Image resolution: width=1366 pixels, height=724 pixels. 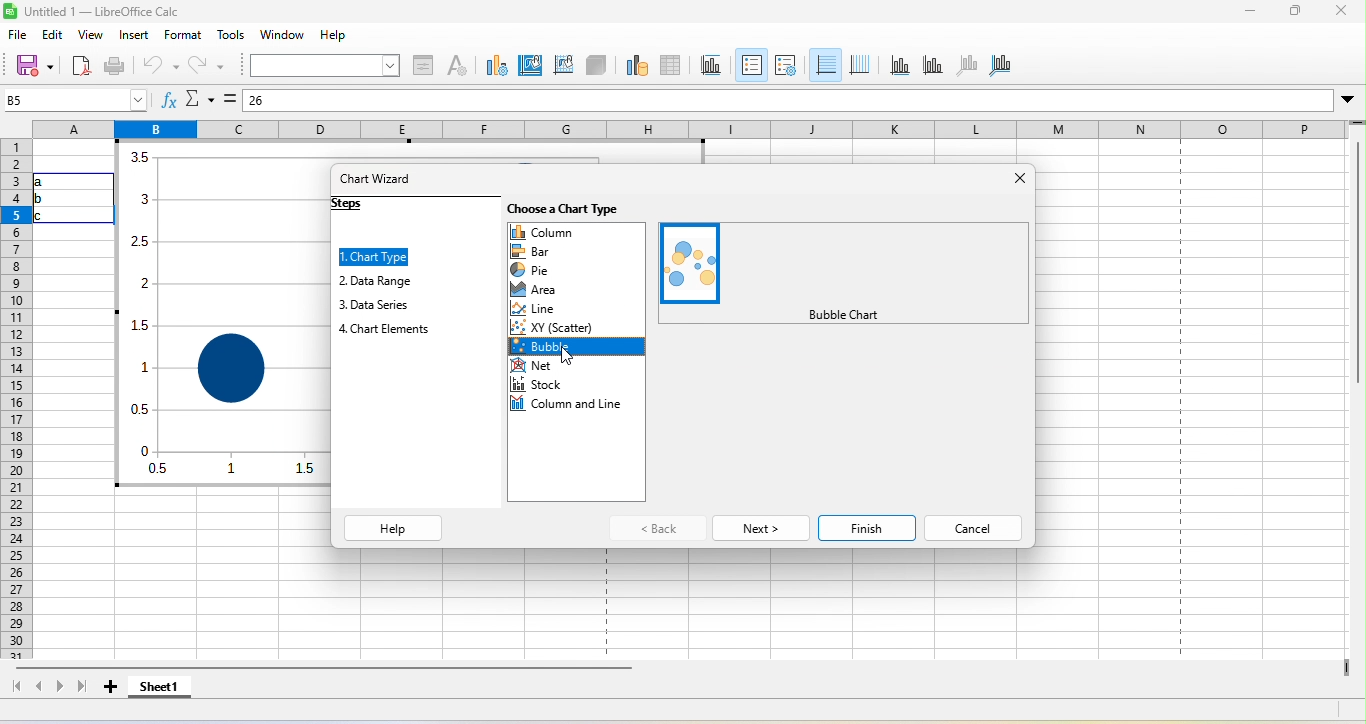 I want to click on b, so click(x=45, y=198).